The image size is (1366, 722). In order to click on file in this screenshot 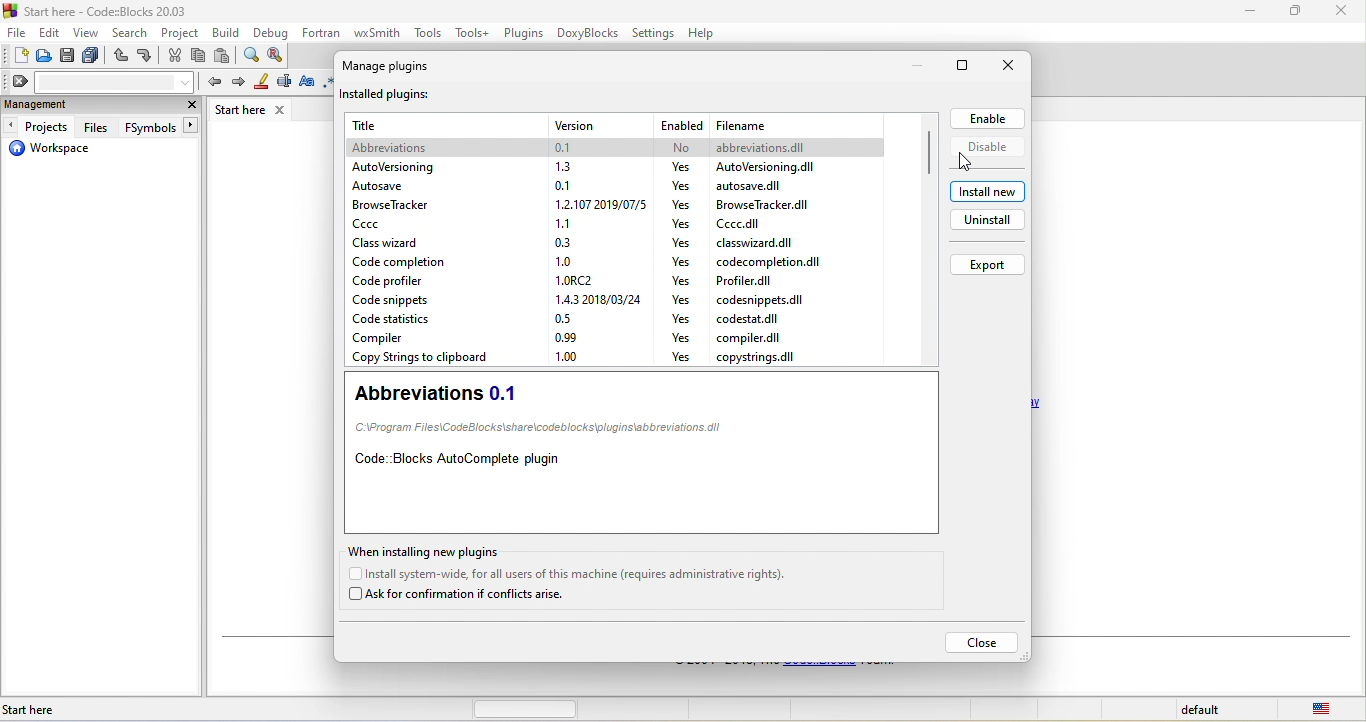, I will do `click(753, 338)`.